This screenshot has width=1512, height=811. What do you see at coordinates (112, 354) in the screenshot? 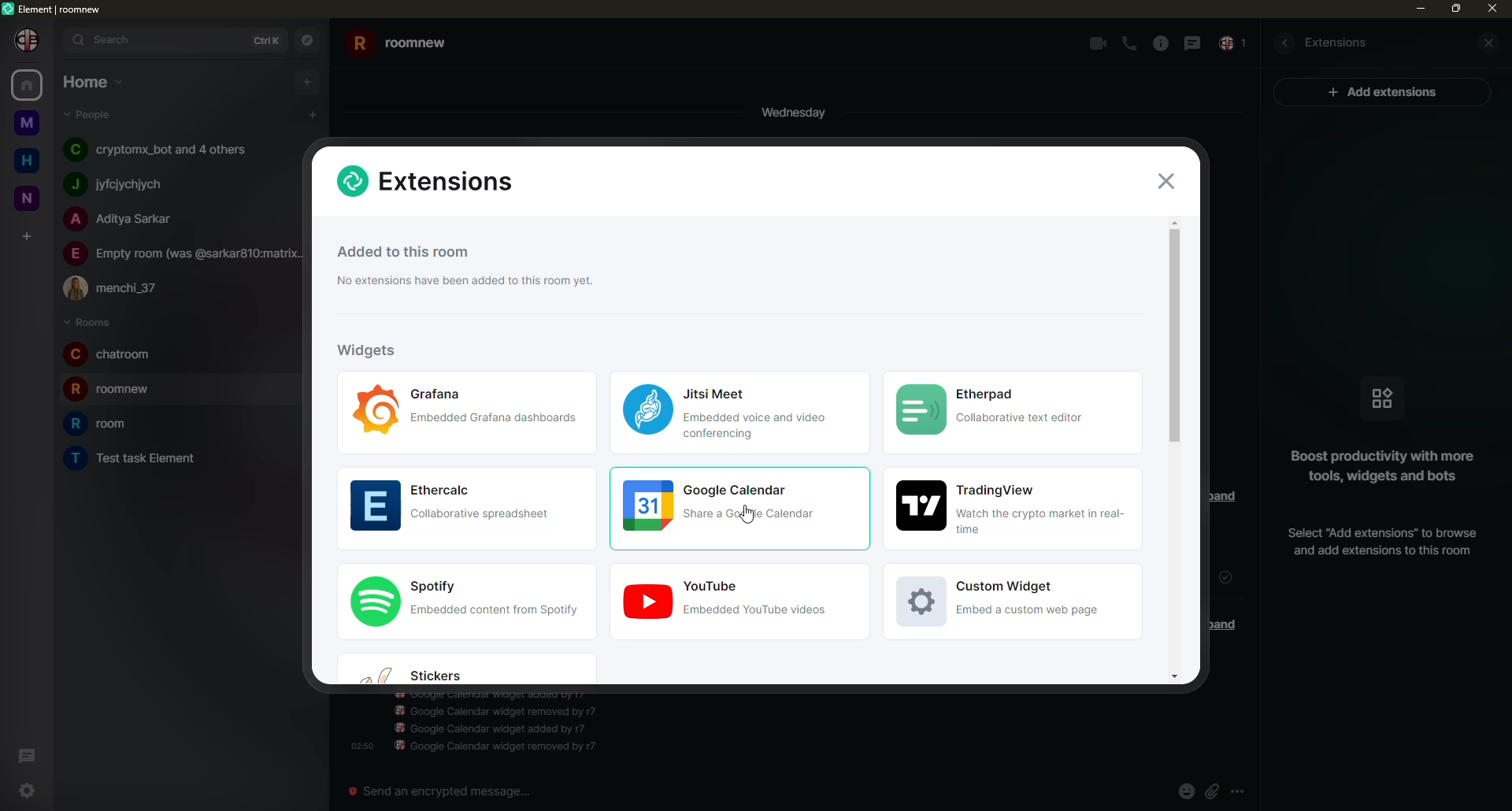
I see `room` at bounding box center [112, 354].